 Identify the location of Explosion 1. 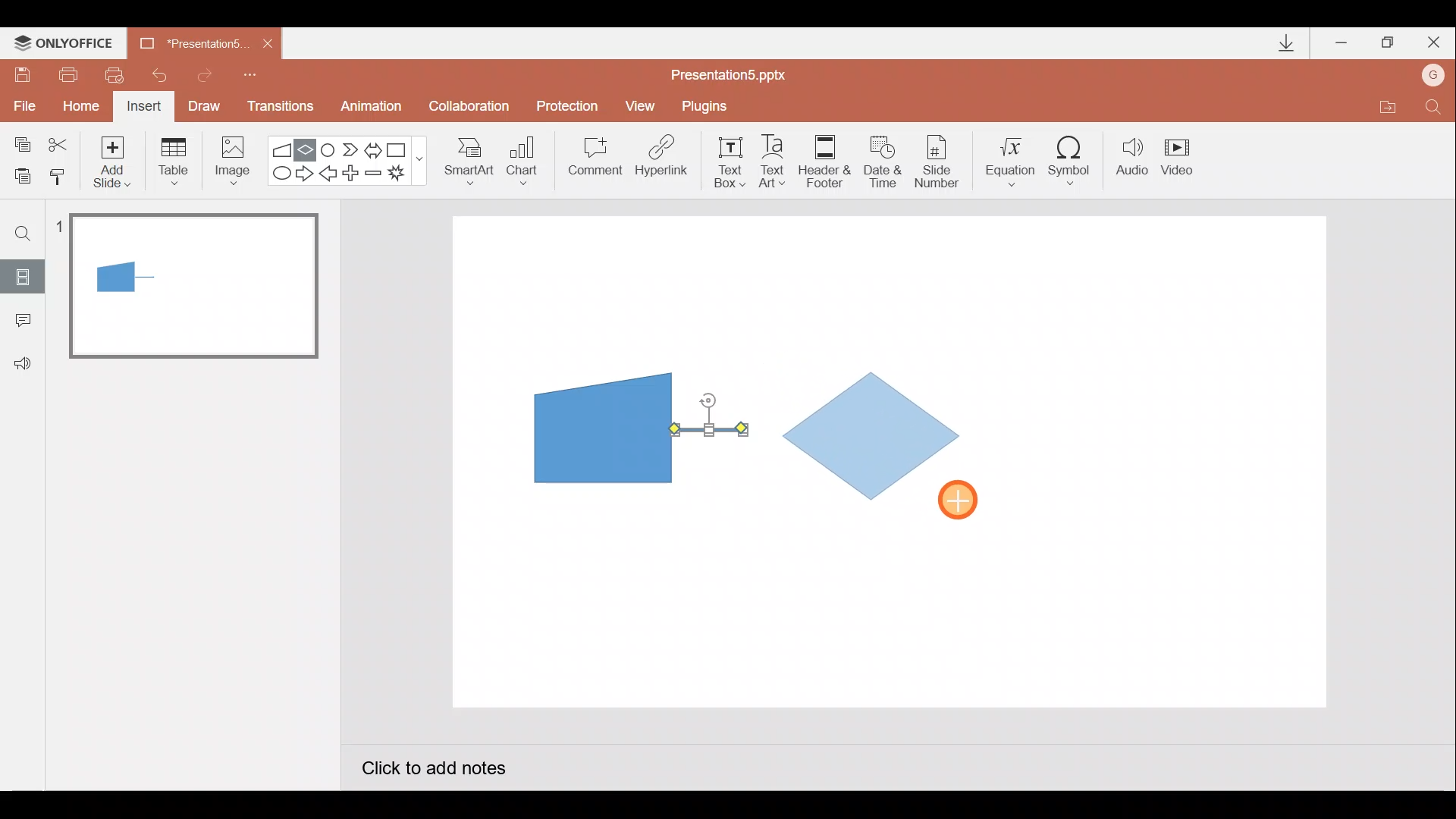
(406, 175).